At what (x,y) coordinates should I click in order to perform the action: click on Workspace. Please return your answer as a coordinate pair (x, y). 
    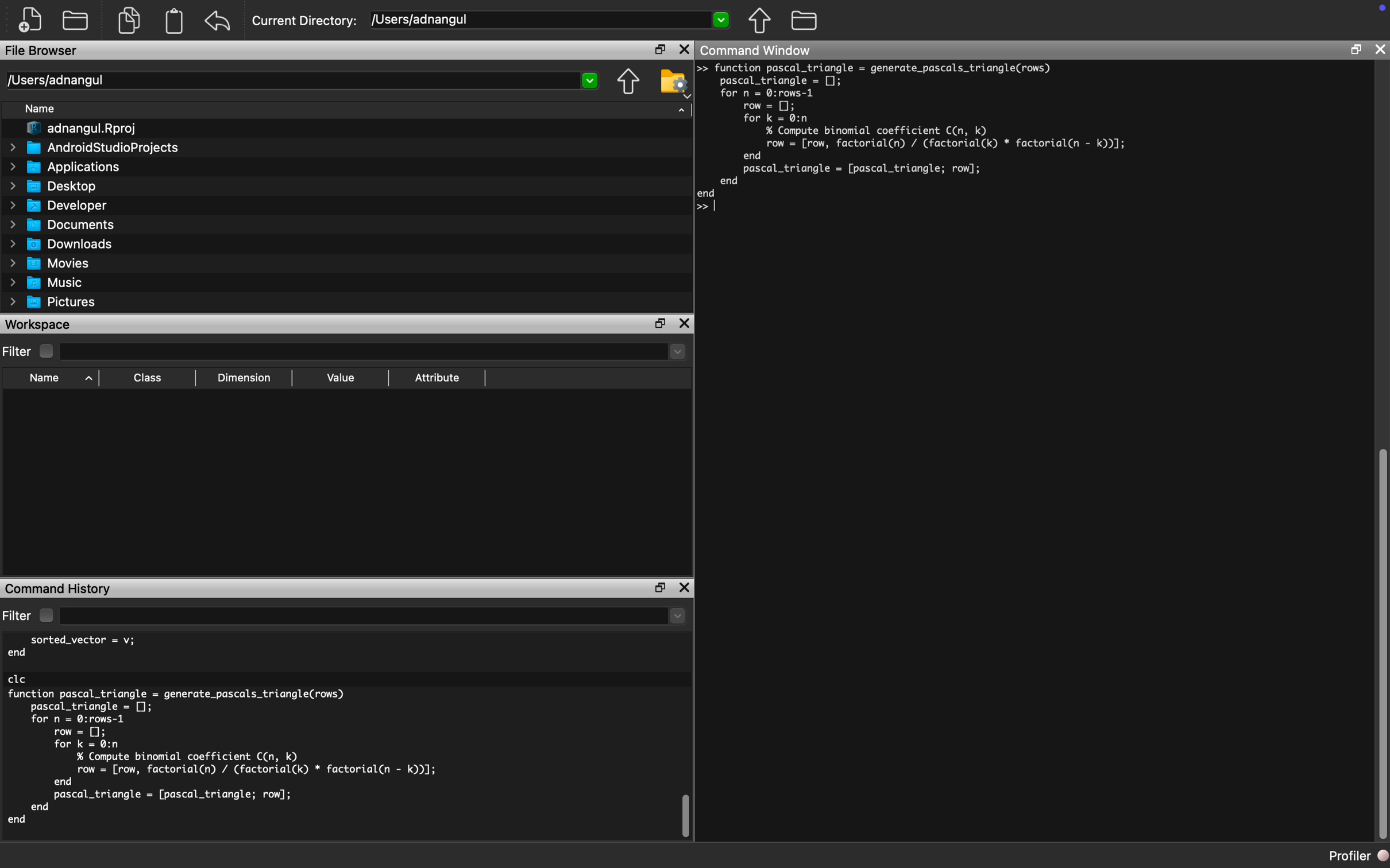
    Looking at the image, I should click on (41, 324).